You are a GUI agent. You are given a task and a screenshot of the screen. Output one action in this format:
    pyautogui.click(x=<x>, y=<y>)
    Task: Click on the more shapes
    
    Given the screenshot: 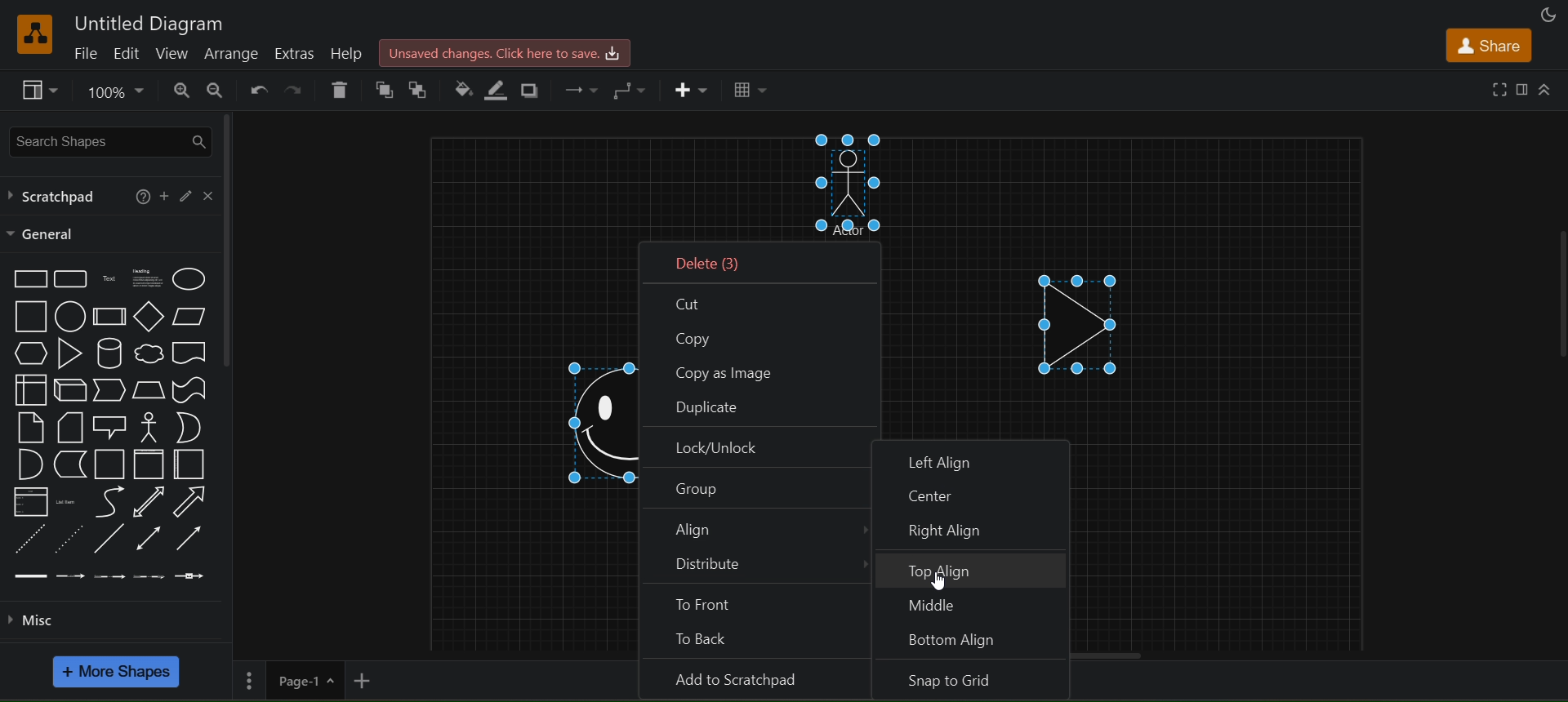 What is the action you would take?
    pyautogui.click(x=118, y=673)
    